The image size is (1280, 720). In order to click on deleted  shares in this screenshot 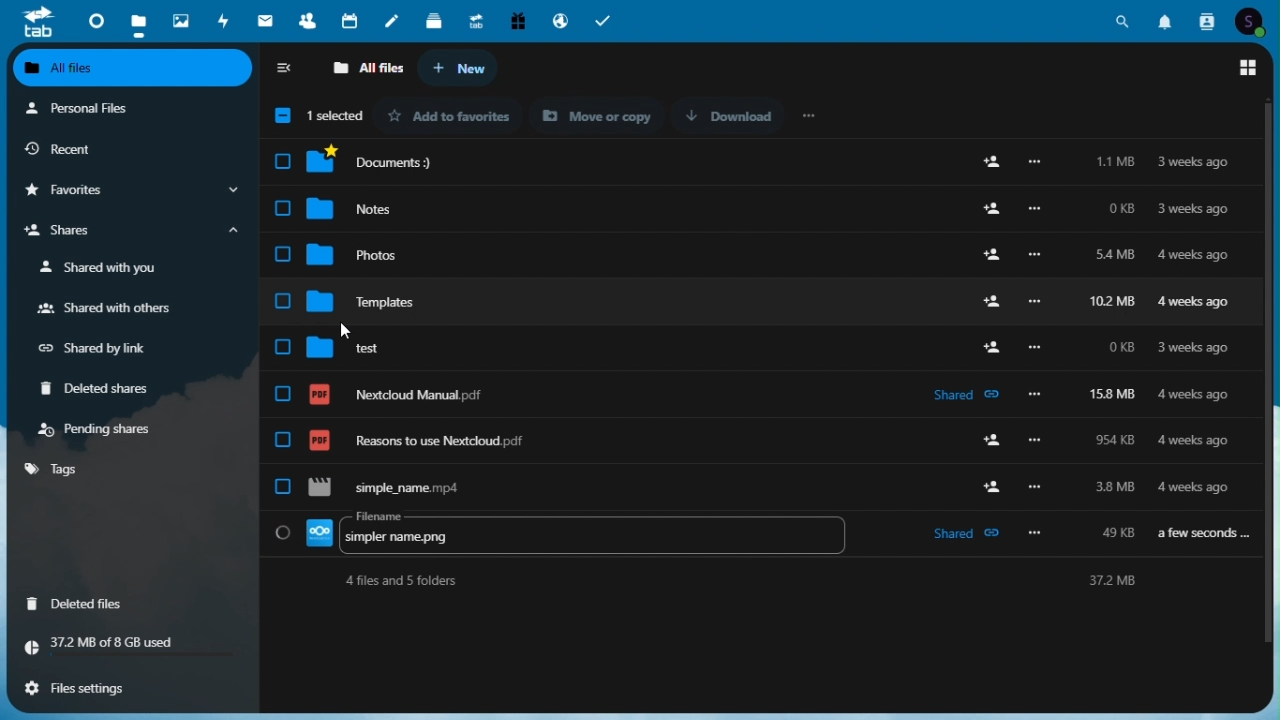, I will do `click(103, 390)`.